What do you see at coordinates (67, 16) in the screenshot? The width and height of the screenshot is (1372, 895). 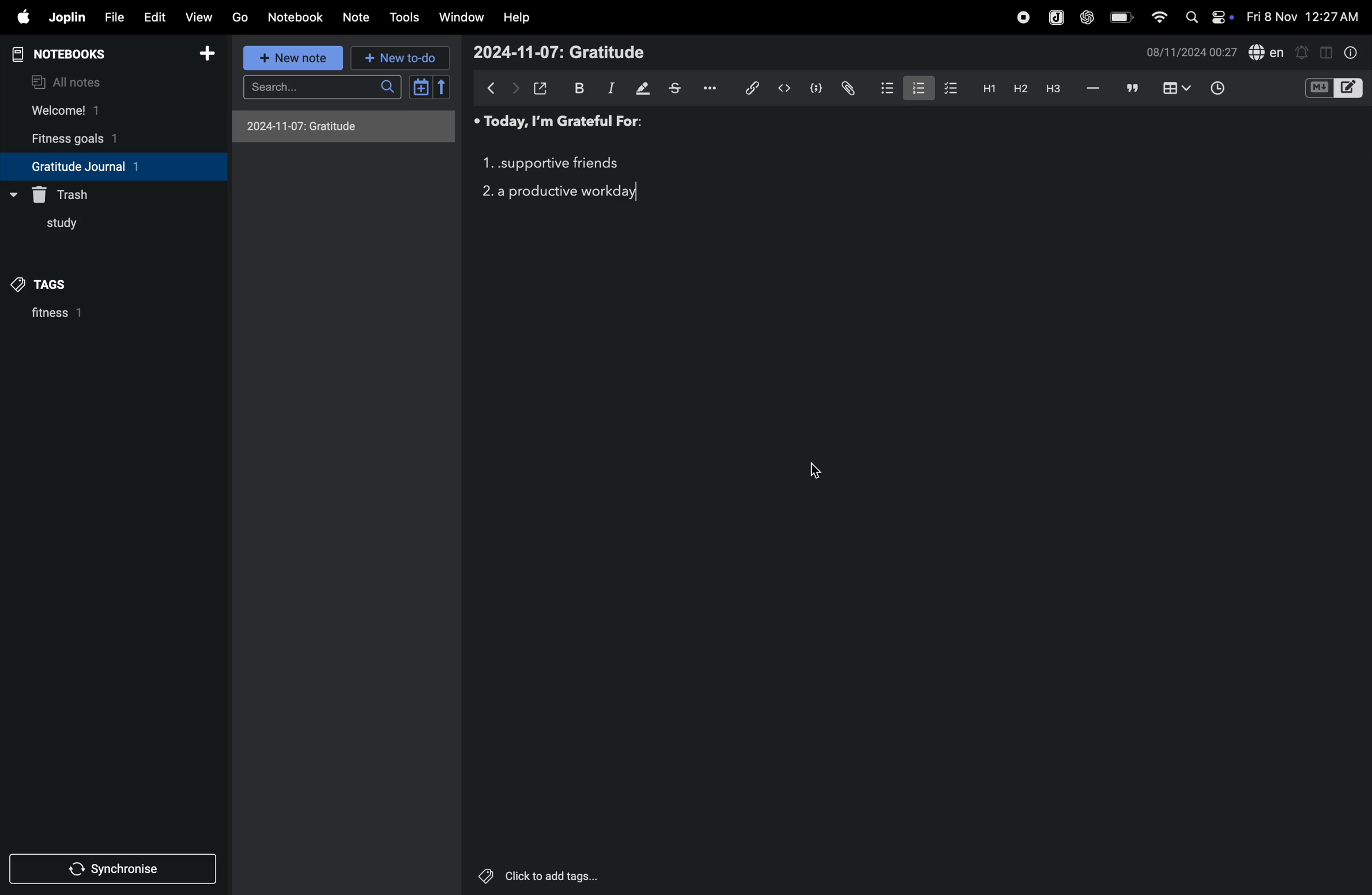 I see `joplin` at bounding box center [67, 16].